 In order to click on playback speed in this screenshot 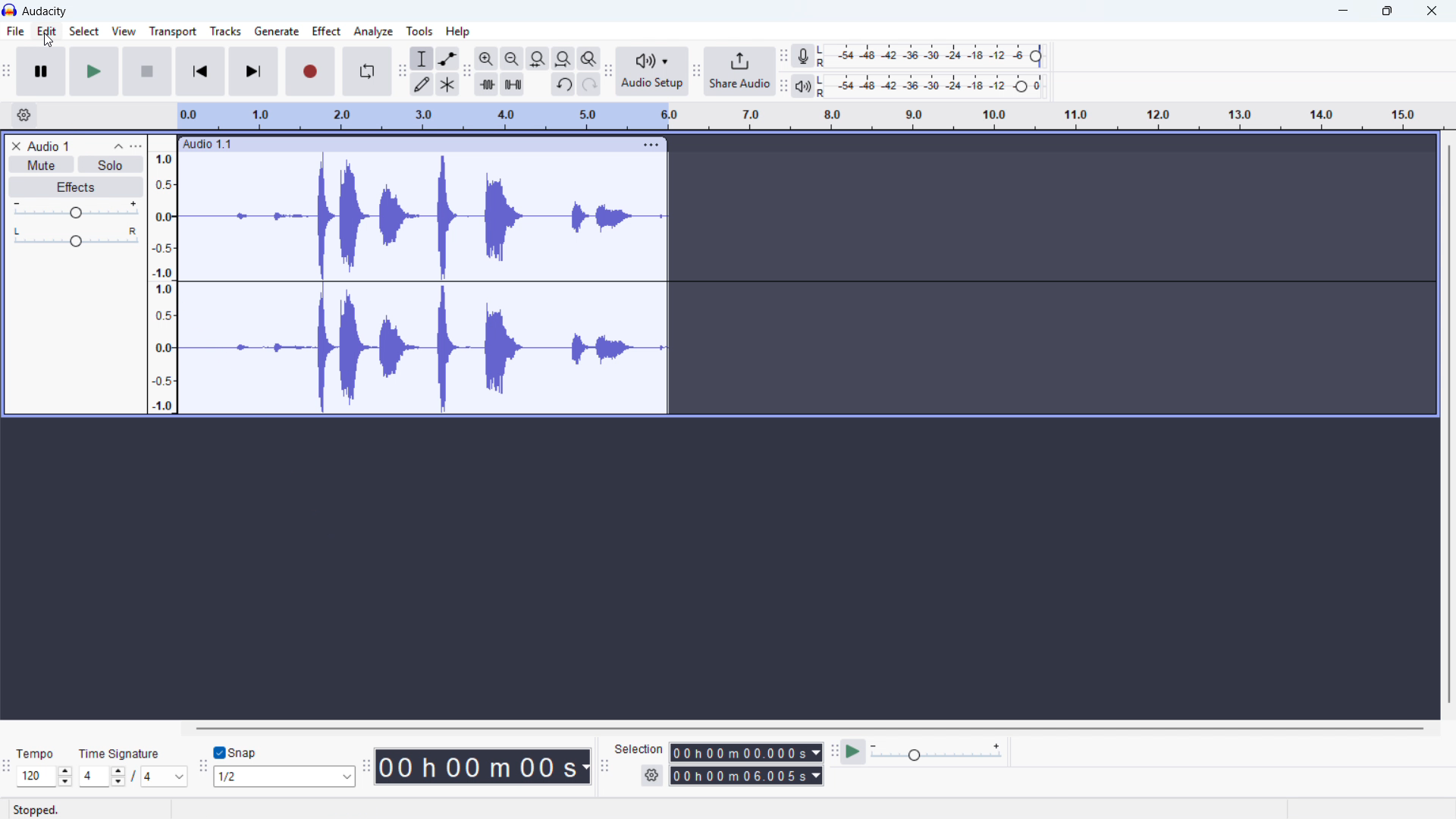, I will do `click(937, 752)`.